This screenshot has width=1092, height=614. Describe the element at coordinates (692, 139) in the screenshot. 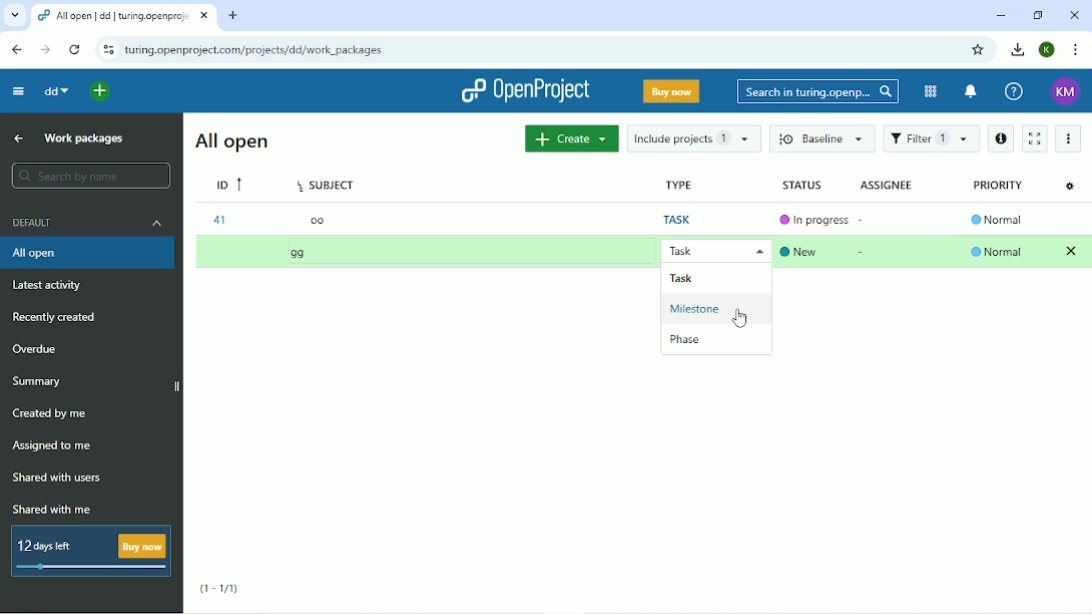

I see `Include projects 1` at that location.